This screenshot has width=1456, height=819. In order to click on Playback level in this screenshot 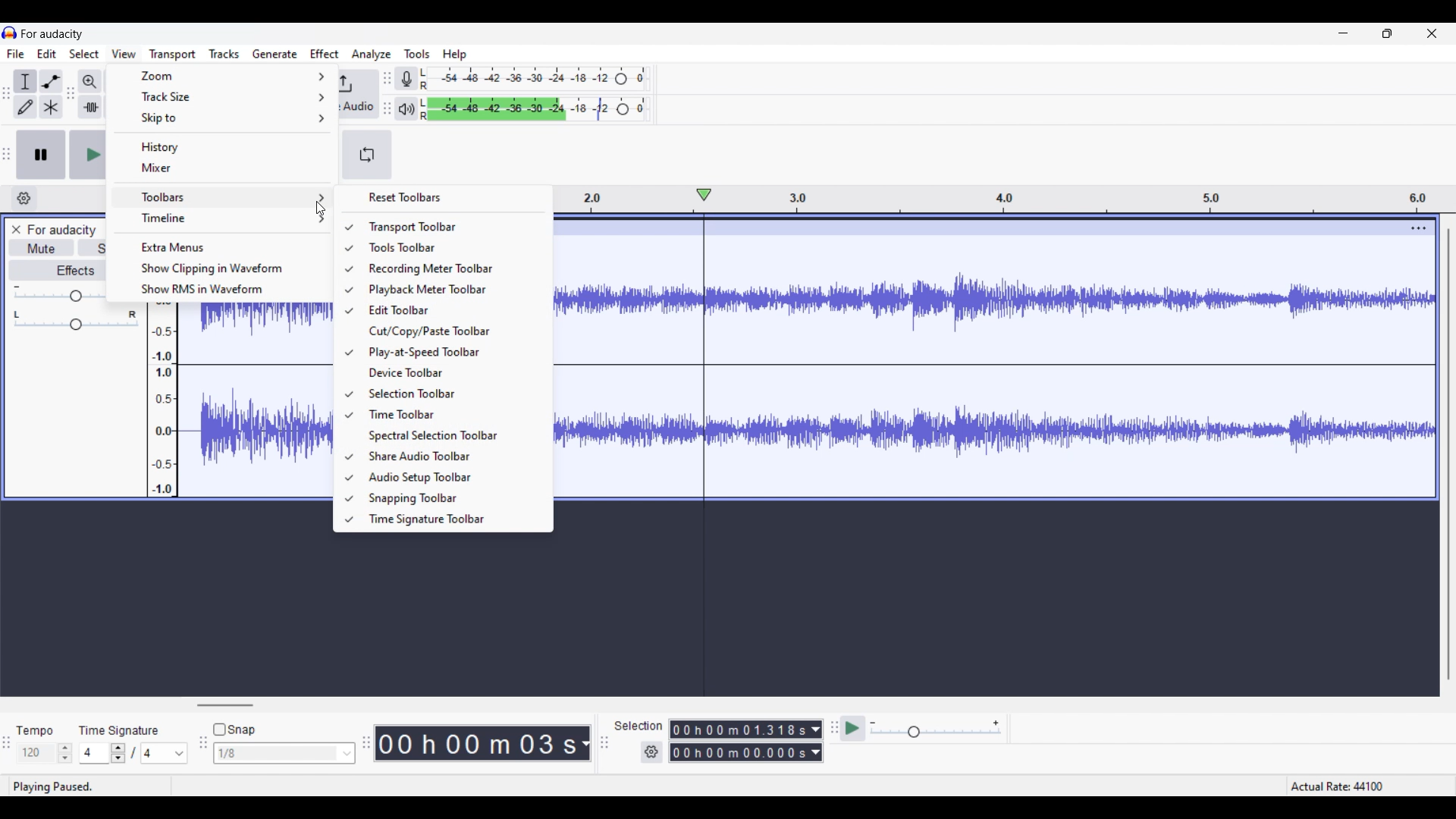, I will do `click(532, 109)`.